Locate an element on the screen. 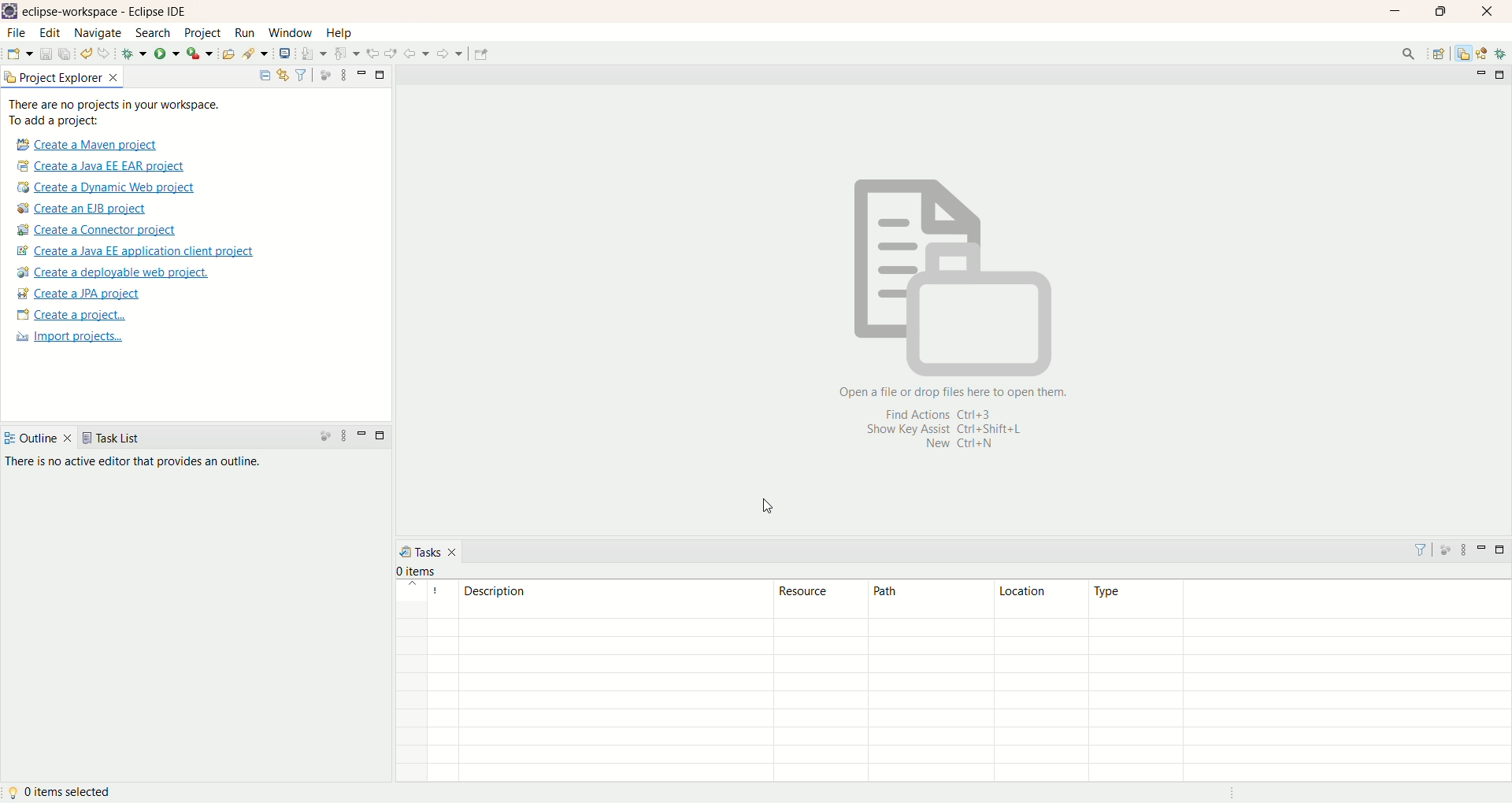 This screenshot has width=1512, height=803. 0 items is located at coordinates (428, 569).